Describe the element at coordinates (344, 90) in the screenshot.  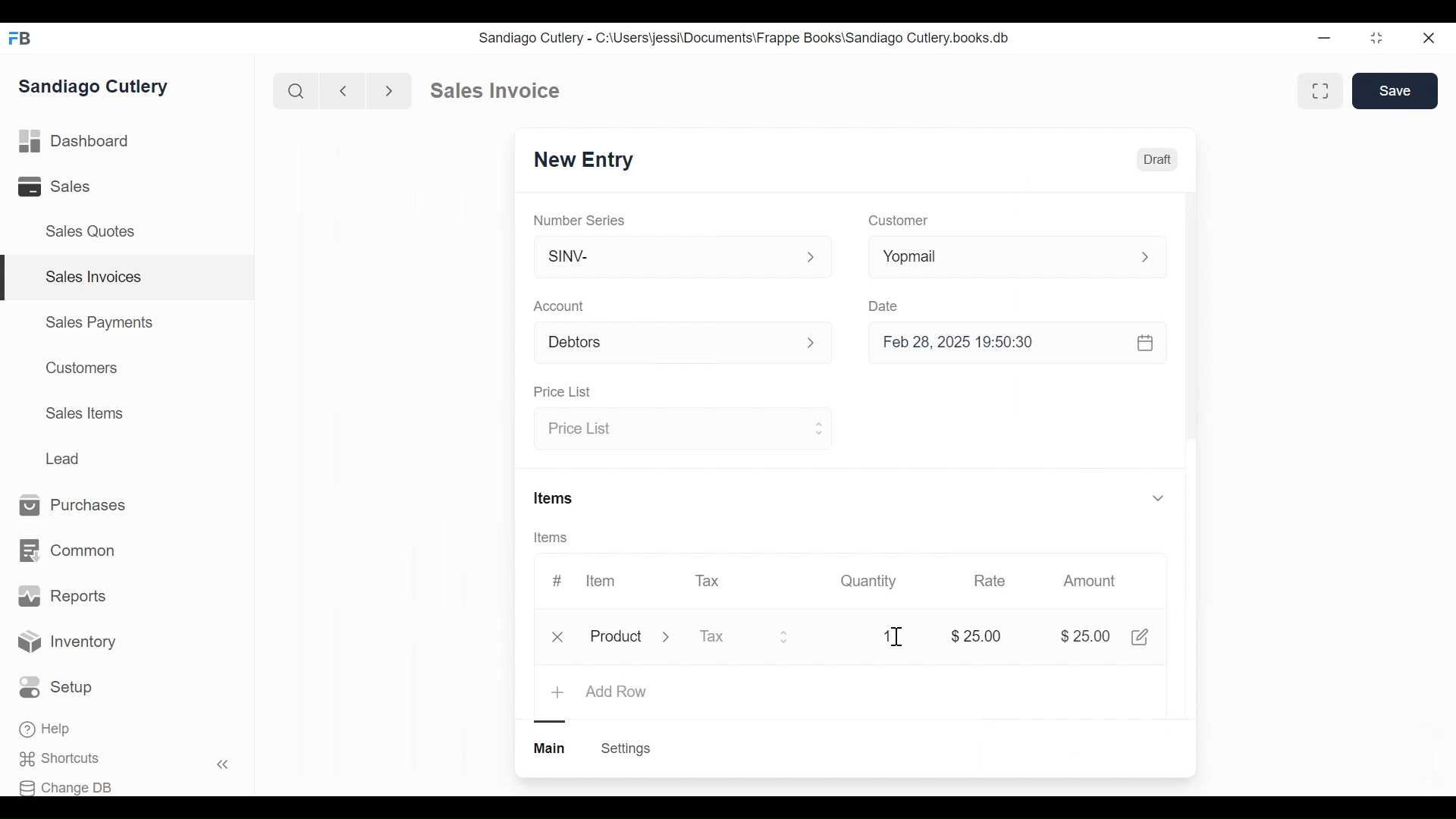
I see `backward` at that location.